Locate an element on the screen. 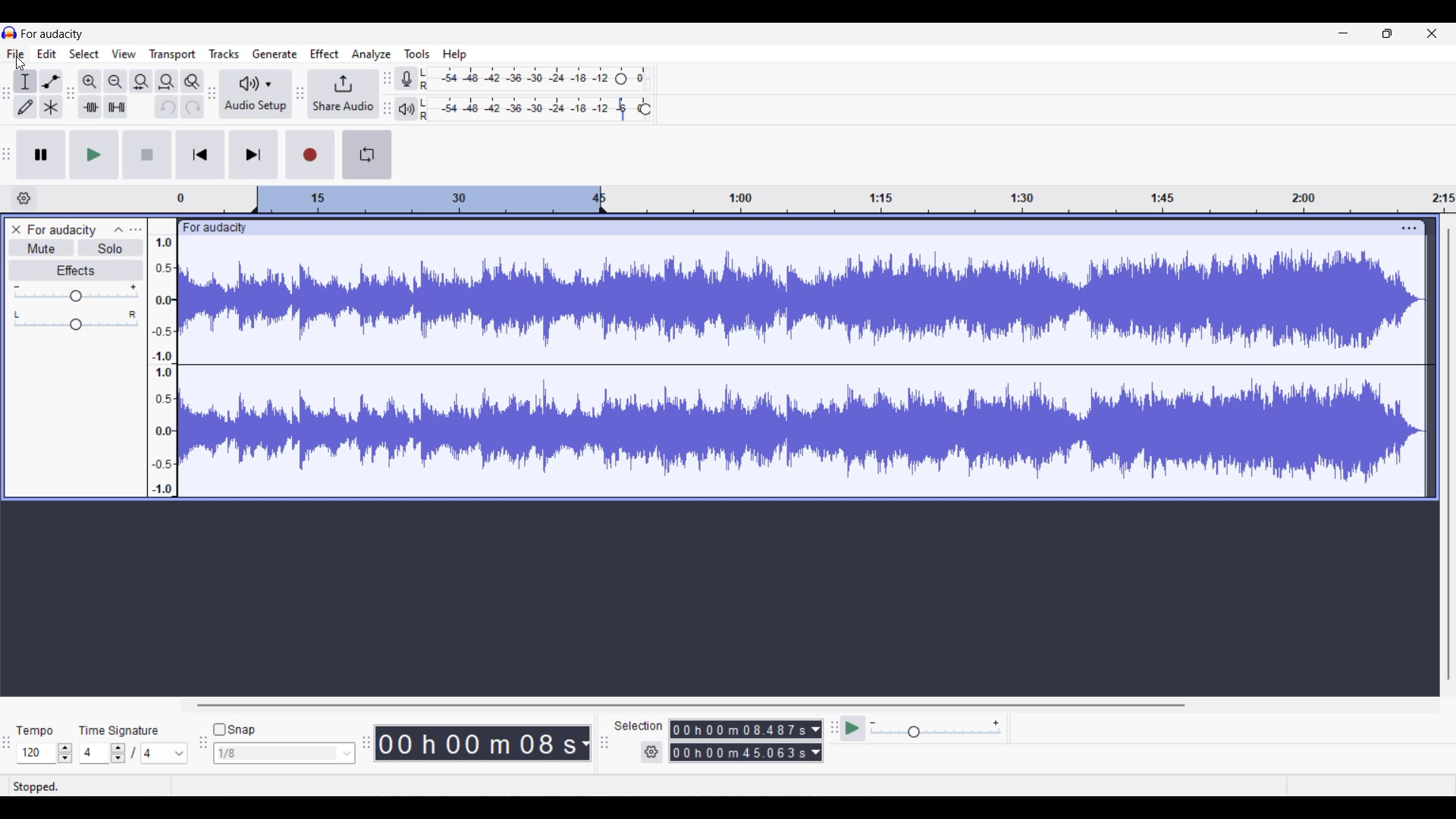 The image size is (1456, 819). Edit menu is located at coordinates (46, 54).